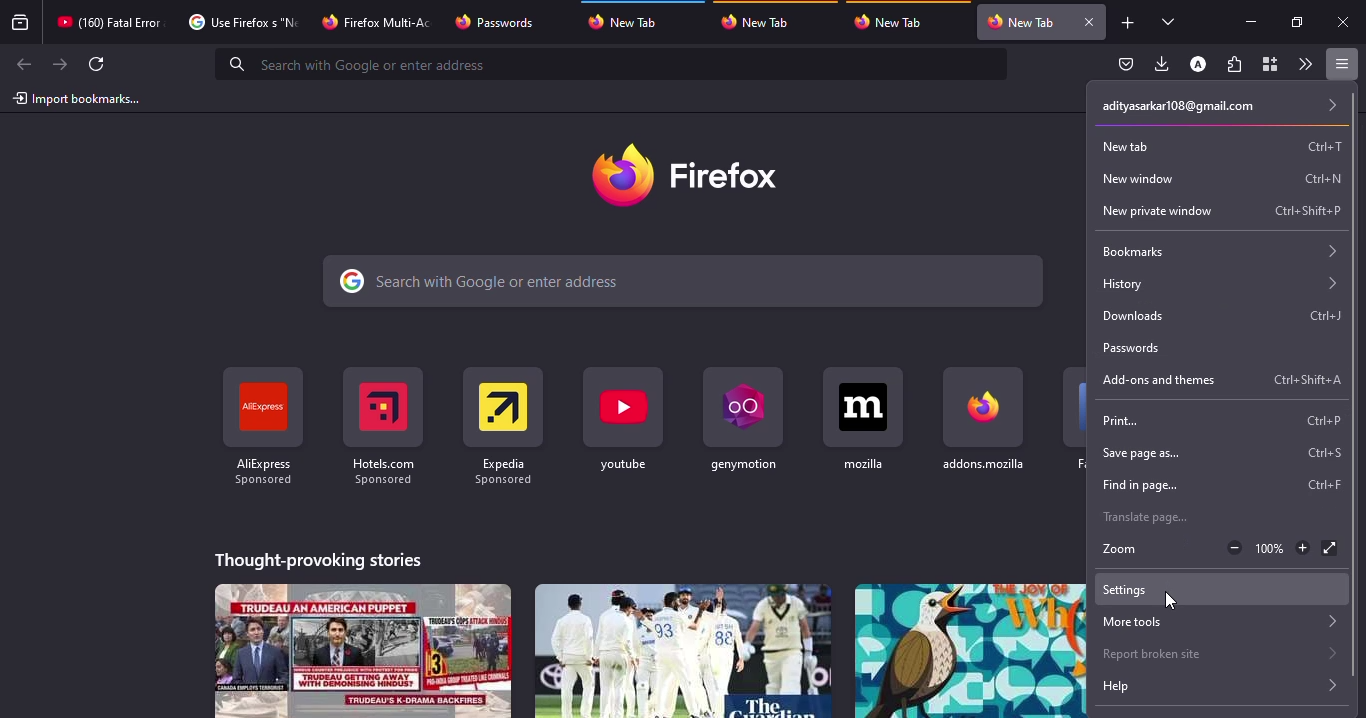  What do you see at coordinates (1309, 210) in the screenshot?
I see `shortcut` at bounding box center [1309, 210].